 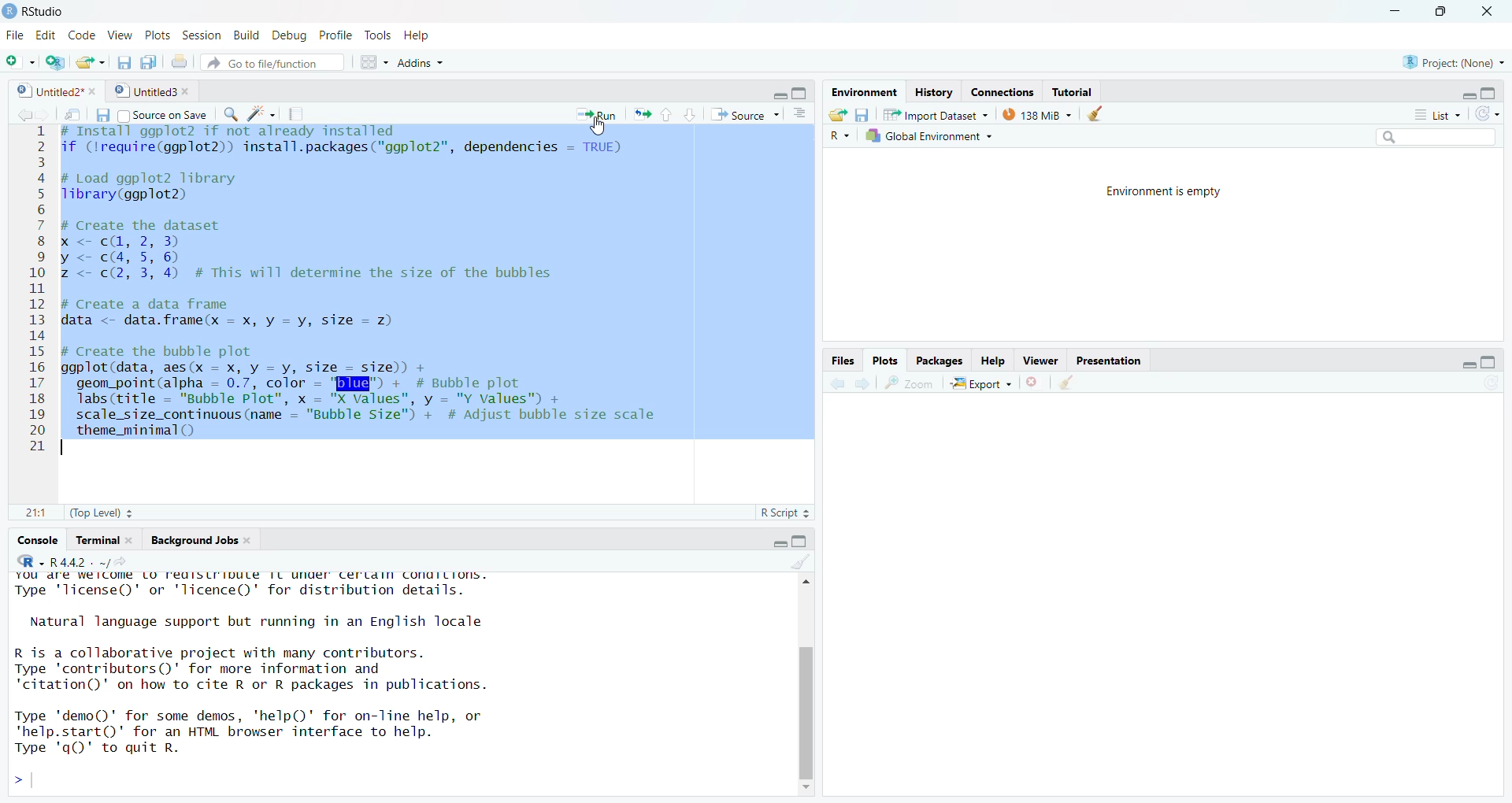 I want to click on code tools, so click(x=260, y=114).